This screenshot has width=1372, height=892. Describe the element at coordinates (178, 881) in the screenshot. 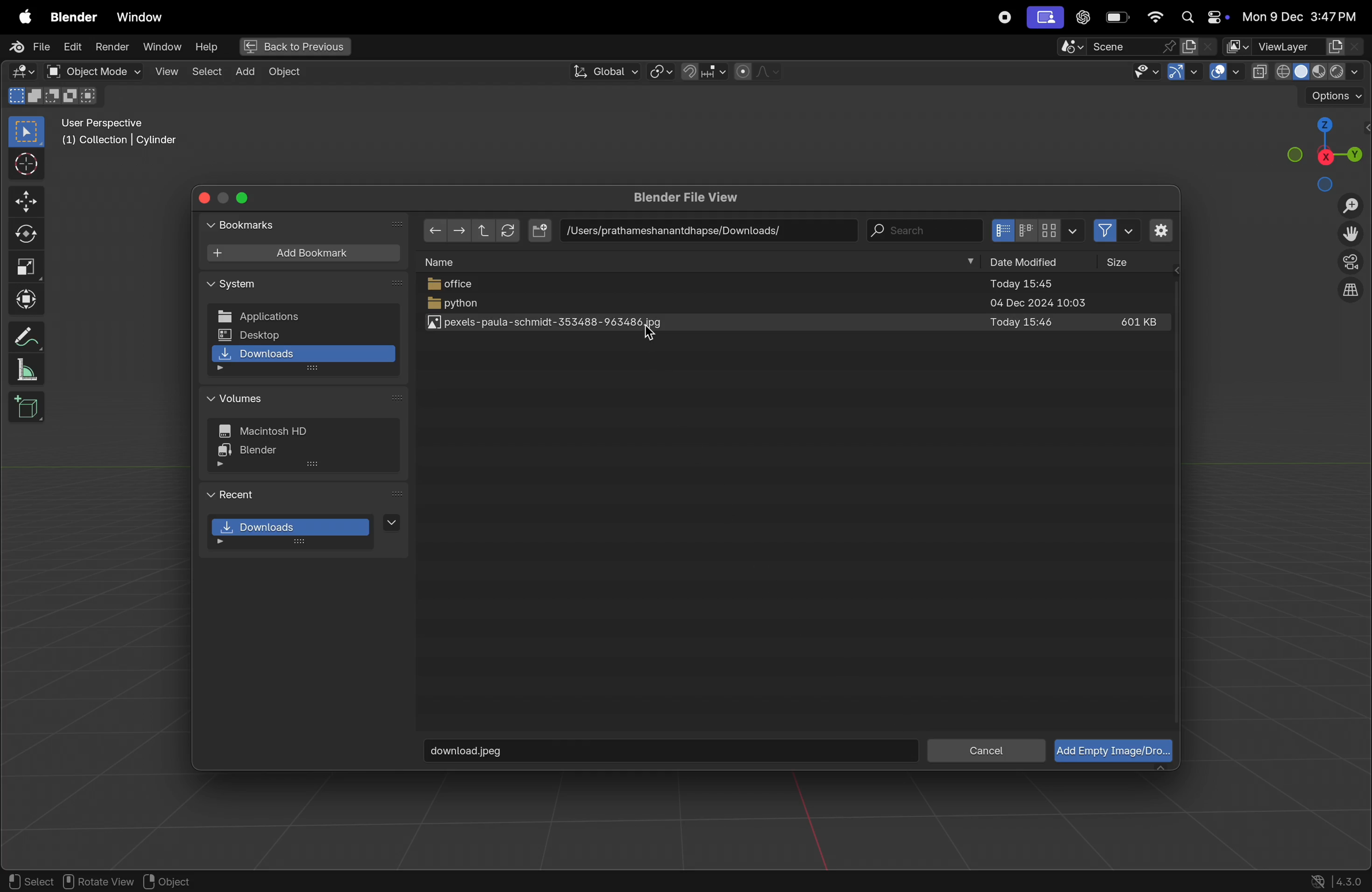

I see `object` at that location.